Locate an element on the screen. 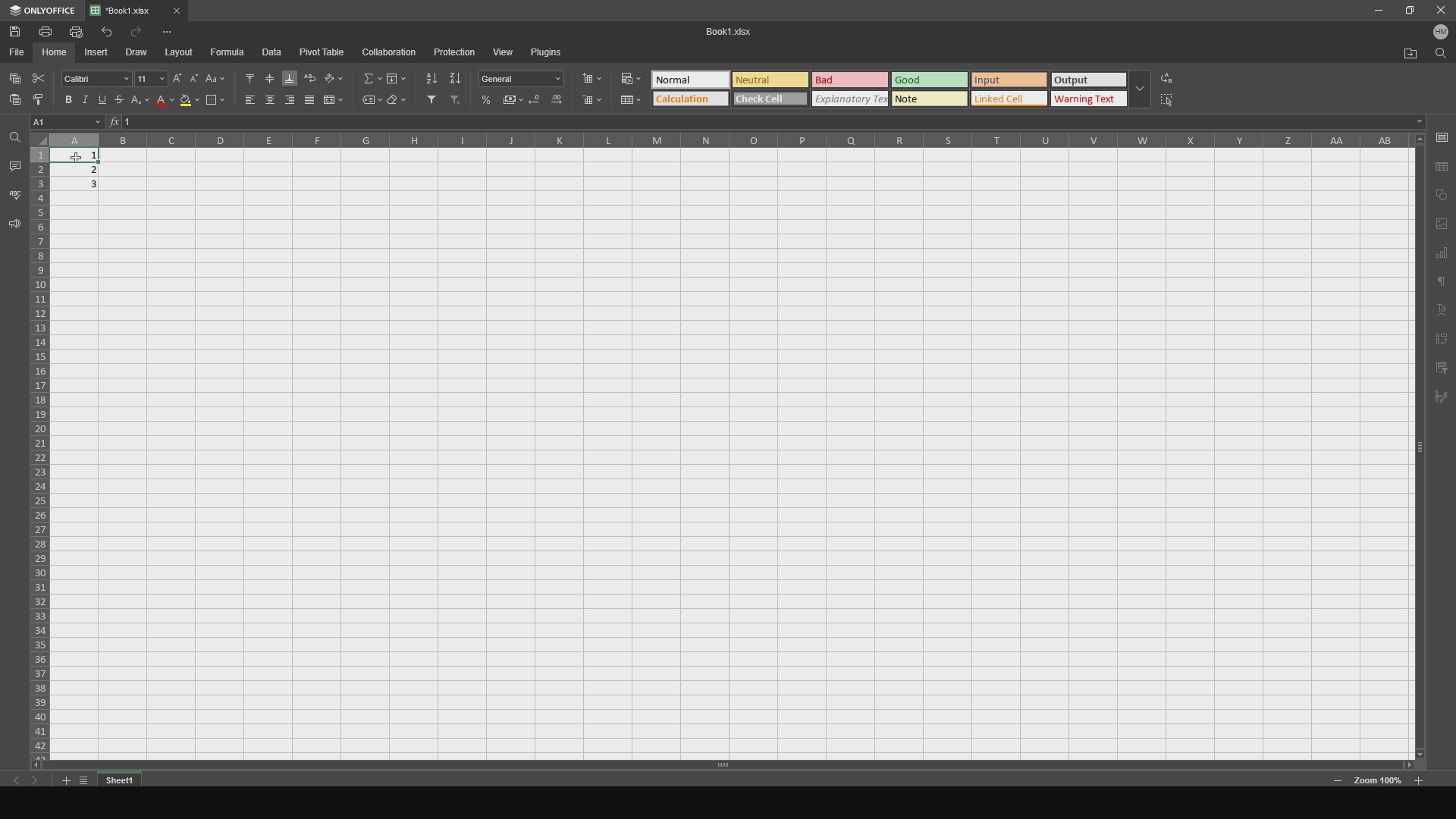  named ranges is located at coordinates (366, 101).